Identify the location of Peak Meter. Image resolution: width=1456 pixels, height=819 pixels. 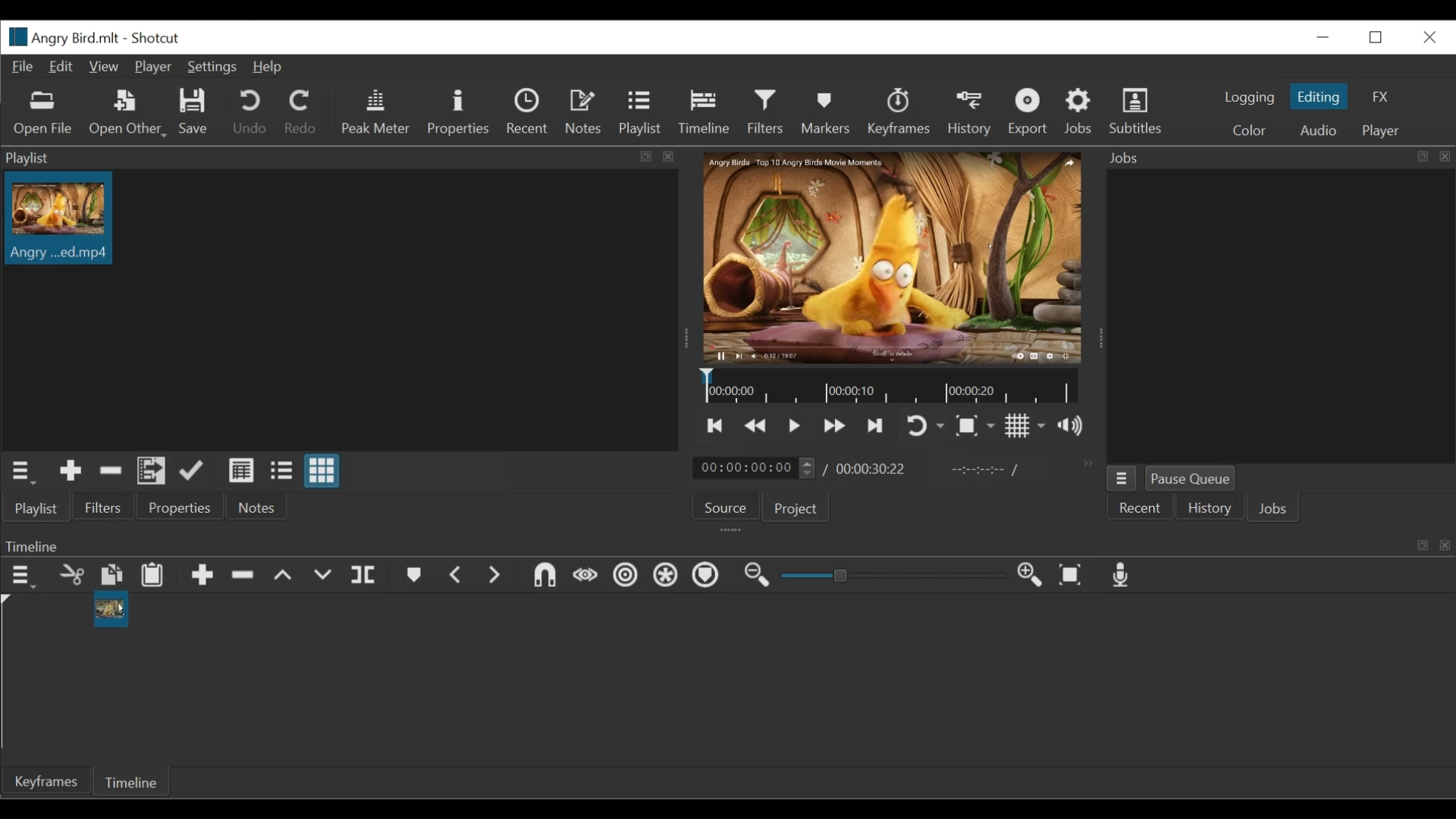
(372, 111).